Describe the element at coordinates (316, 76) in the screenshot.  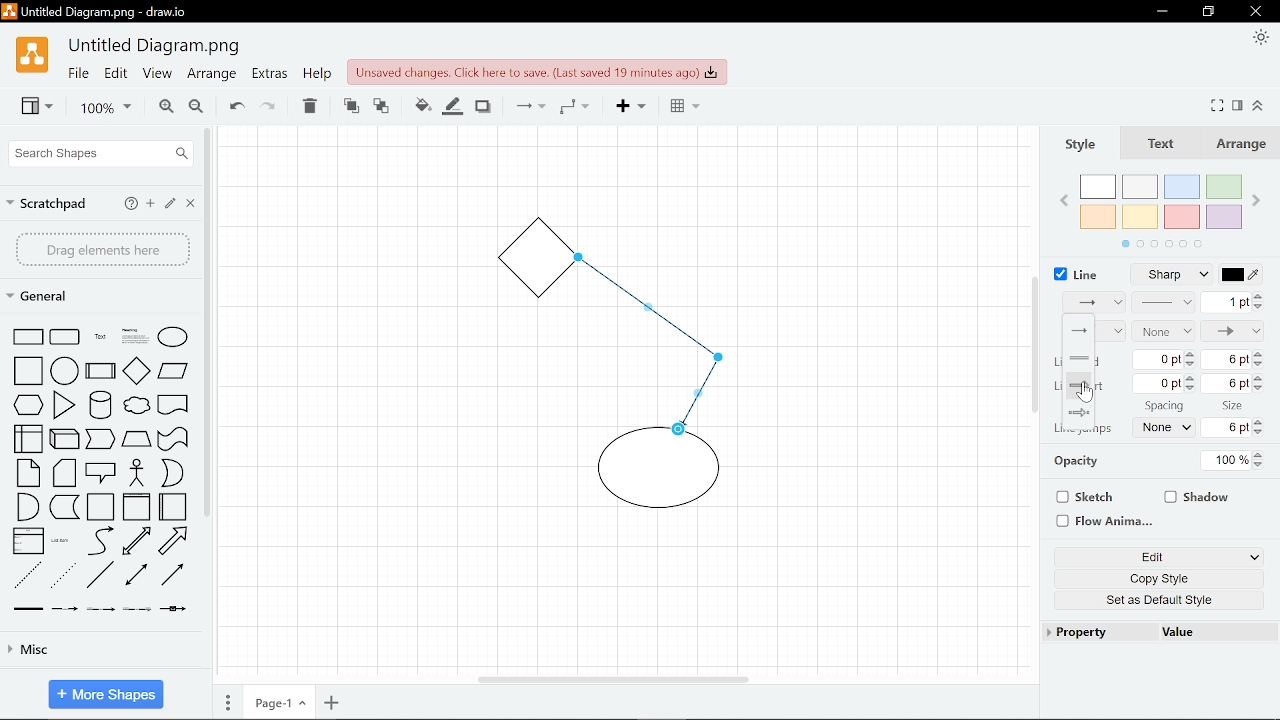
I see `help` at that location.